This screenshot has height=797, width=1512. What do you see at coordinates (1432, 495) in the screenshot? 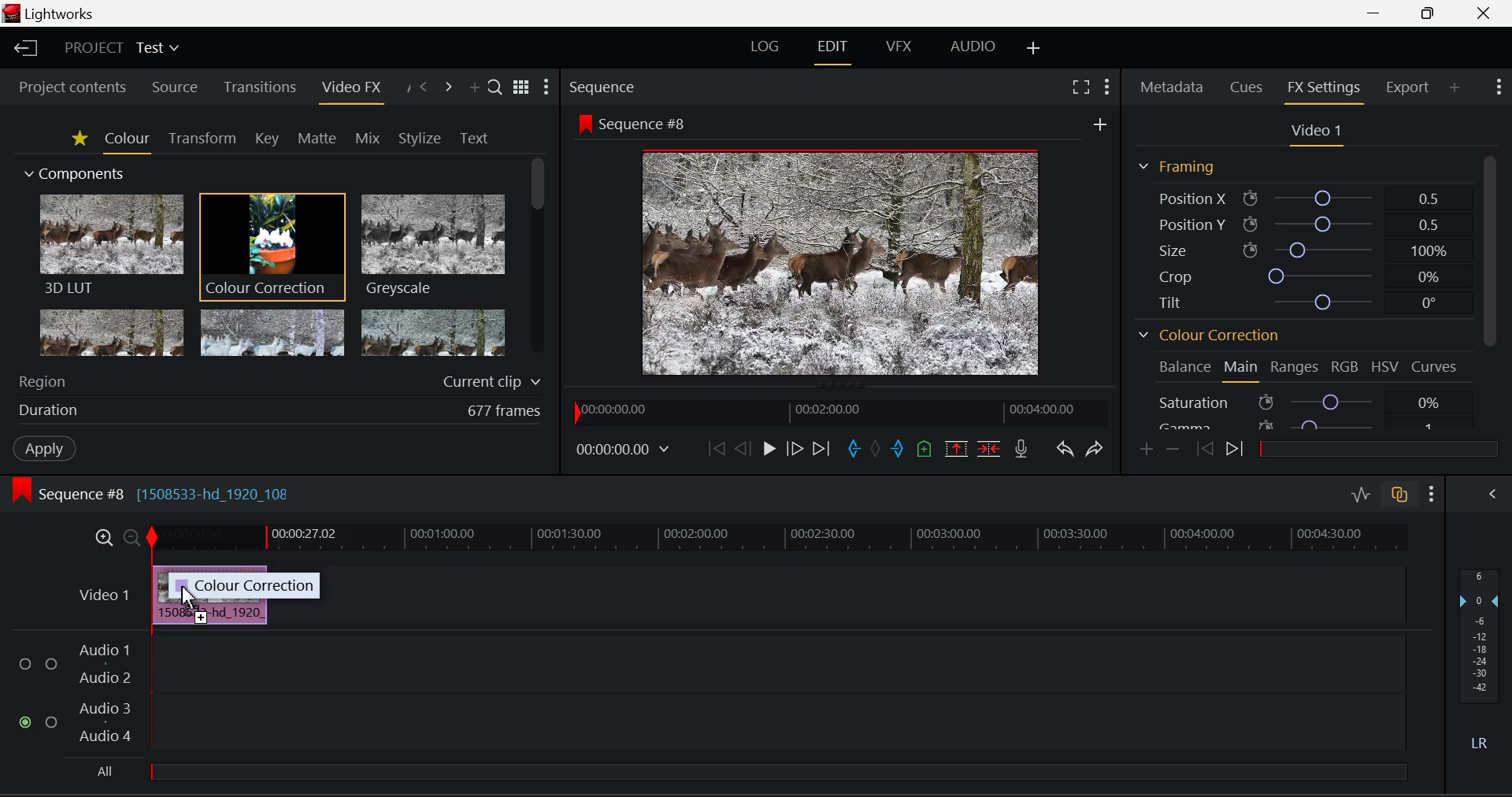
I see `Show Settings` at bounding box center [1432, 495].